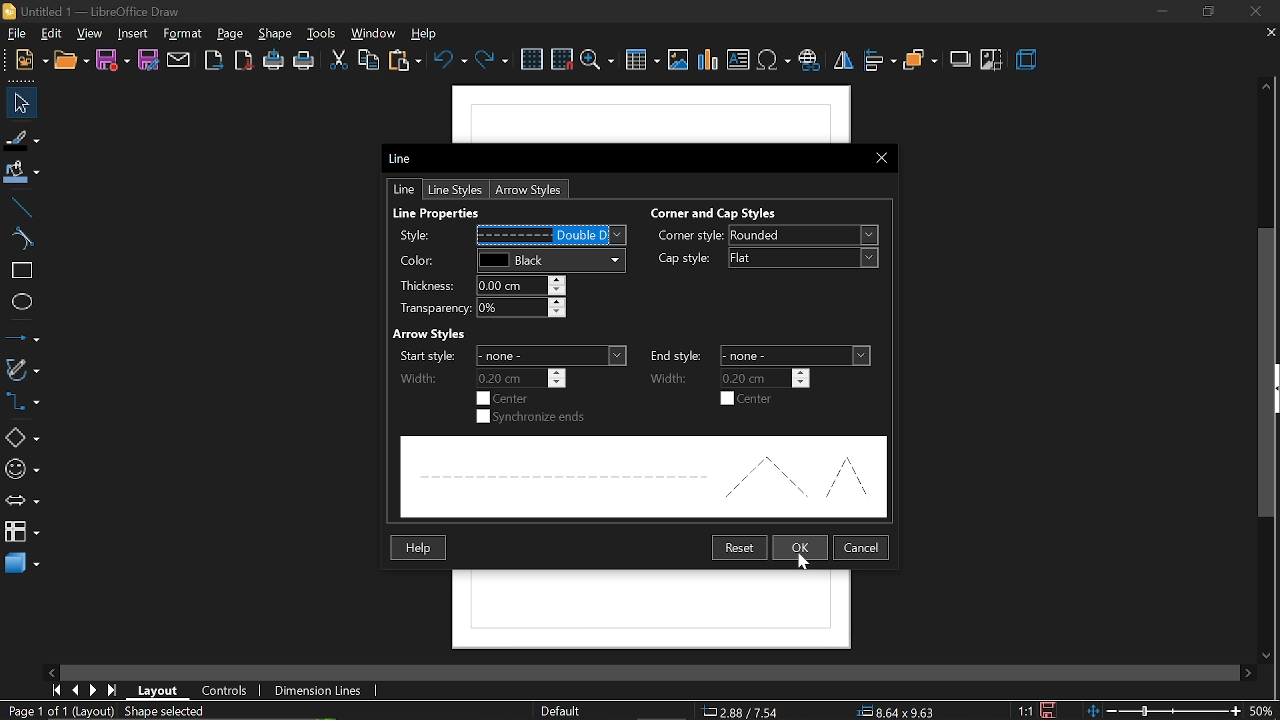  What do you see at coordinates (72, 61) in the screenshot?
I see `new` at bounding box center [72, 61].